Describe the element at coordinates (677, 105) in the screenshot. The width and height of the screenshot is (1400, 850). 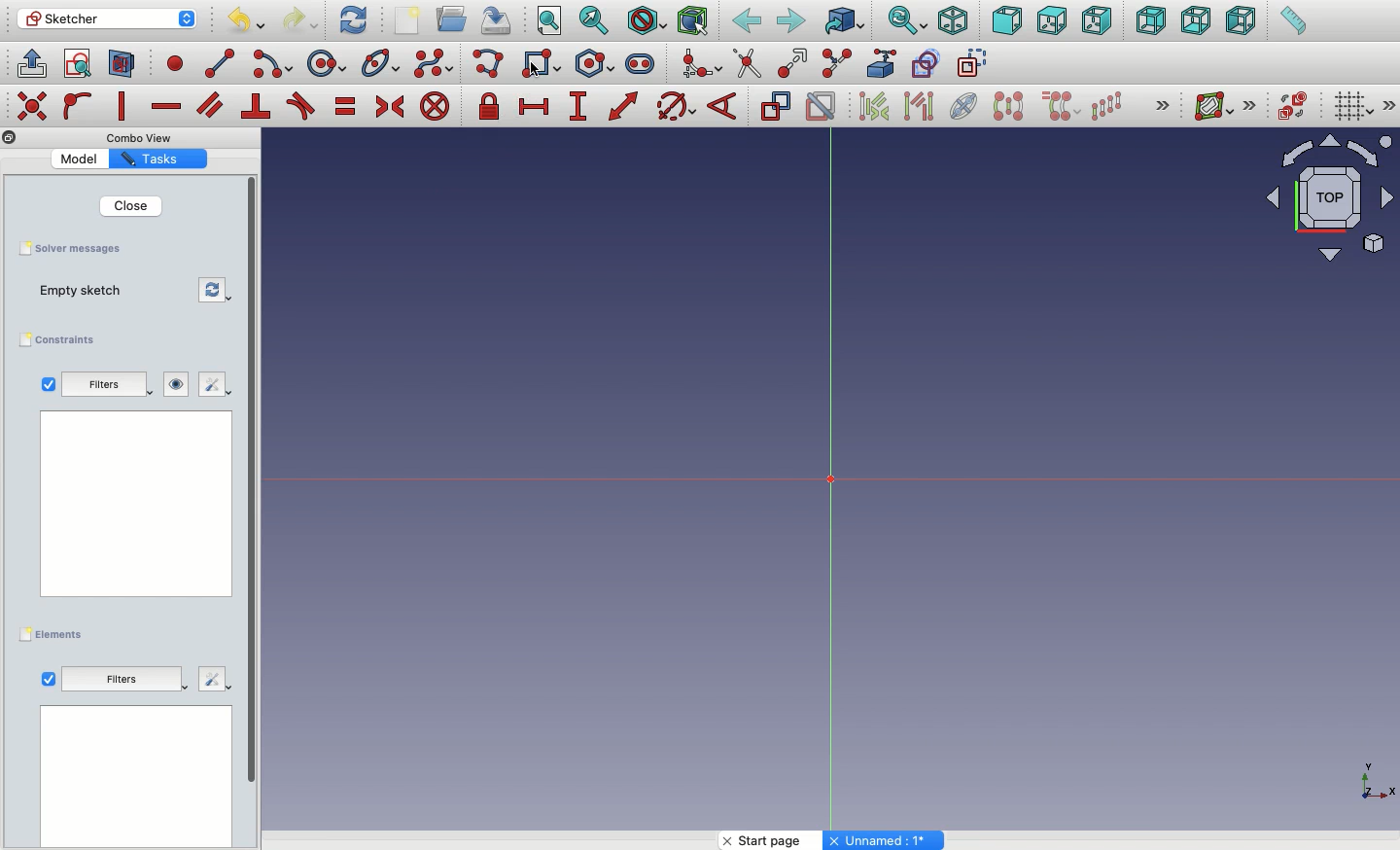
I see `constrain circle ` at that location.